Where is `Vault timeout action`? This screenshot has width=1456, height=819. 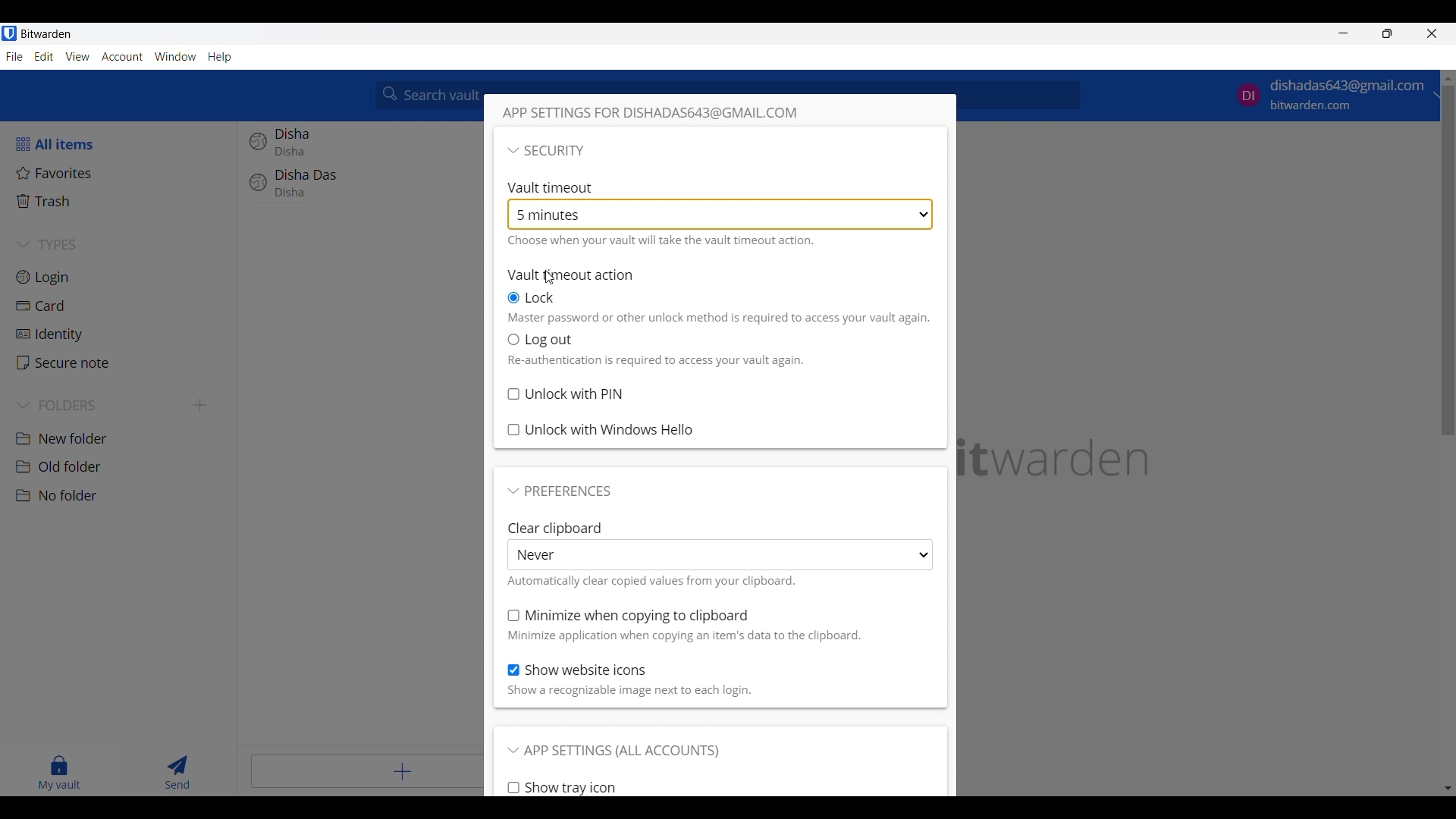
Vault timeout action is located at coordinates (542, 340).